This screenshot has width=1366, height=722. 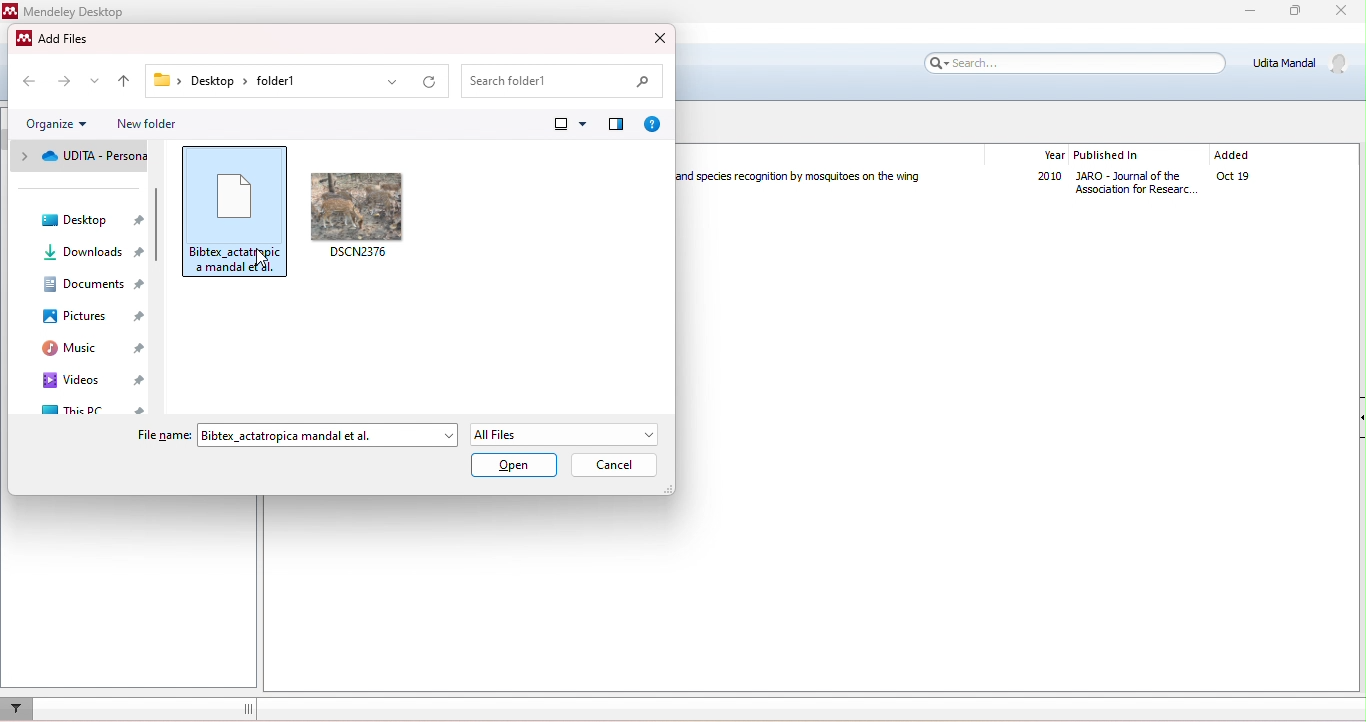 I want to click on maximize, so click(x=1295, y=12).